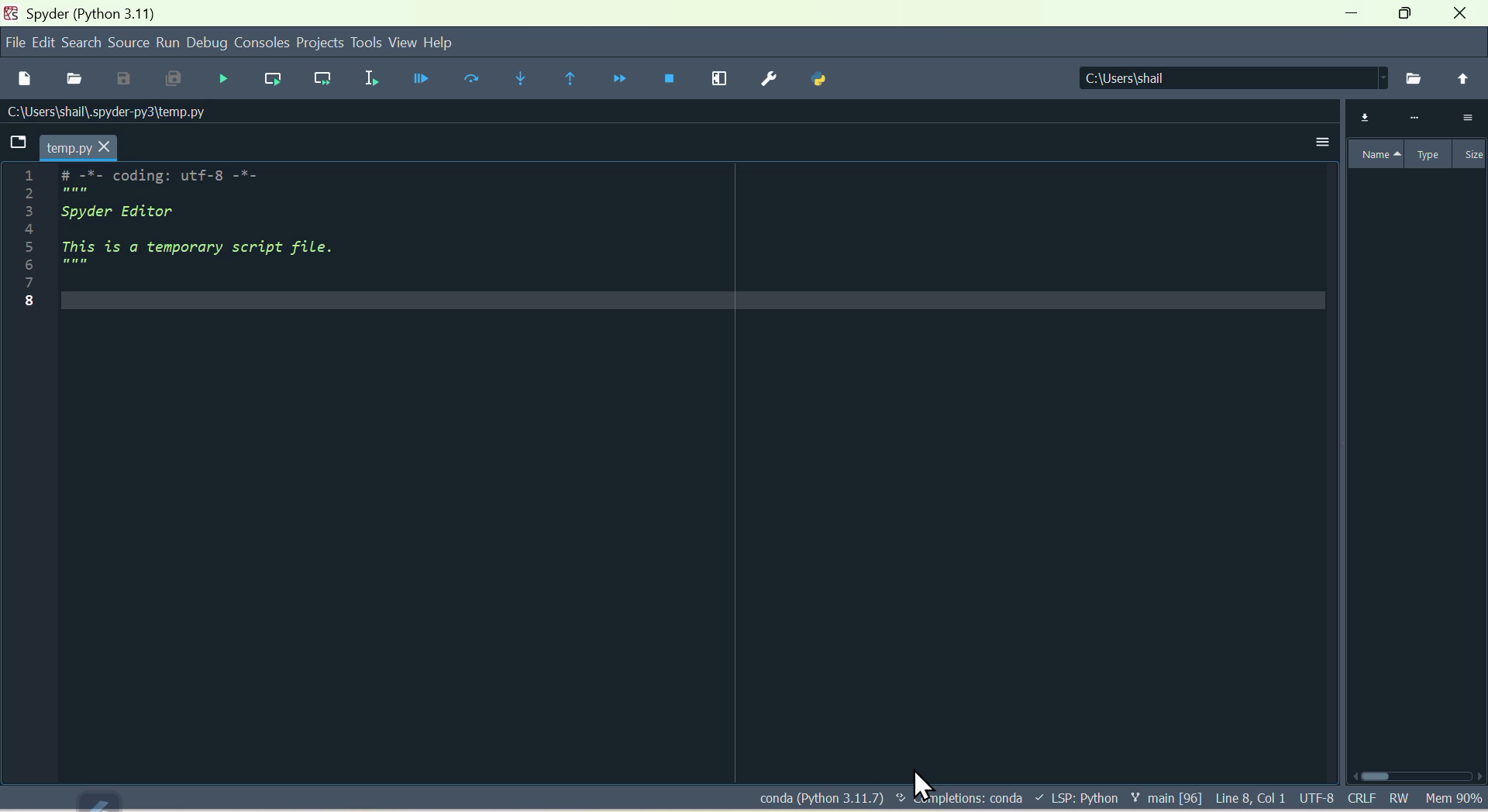  I want to click on , so click(45, 40).